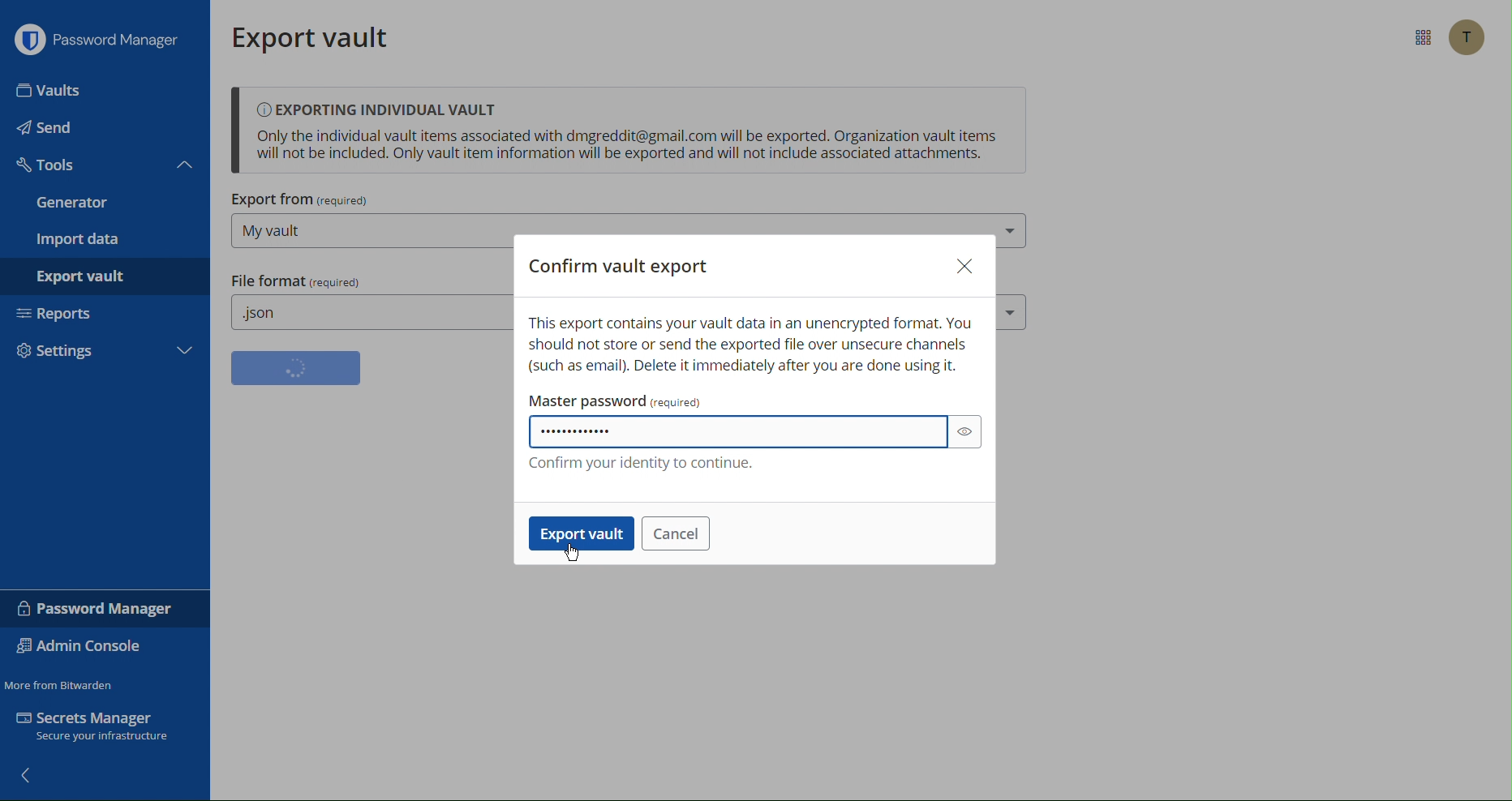 The image size is (1512, 801). I want to click on Import Data, so click(79, 240).